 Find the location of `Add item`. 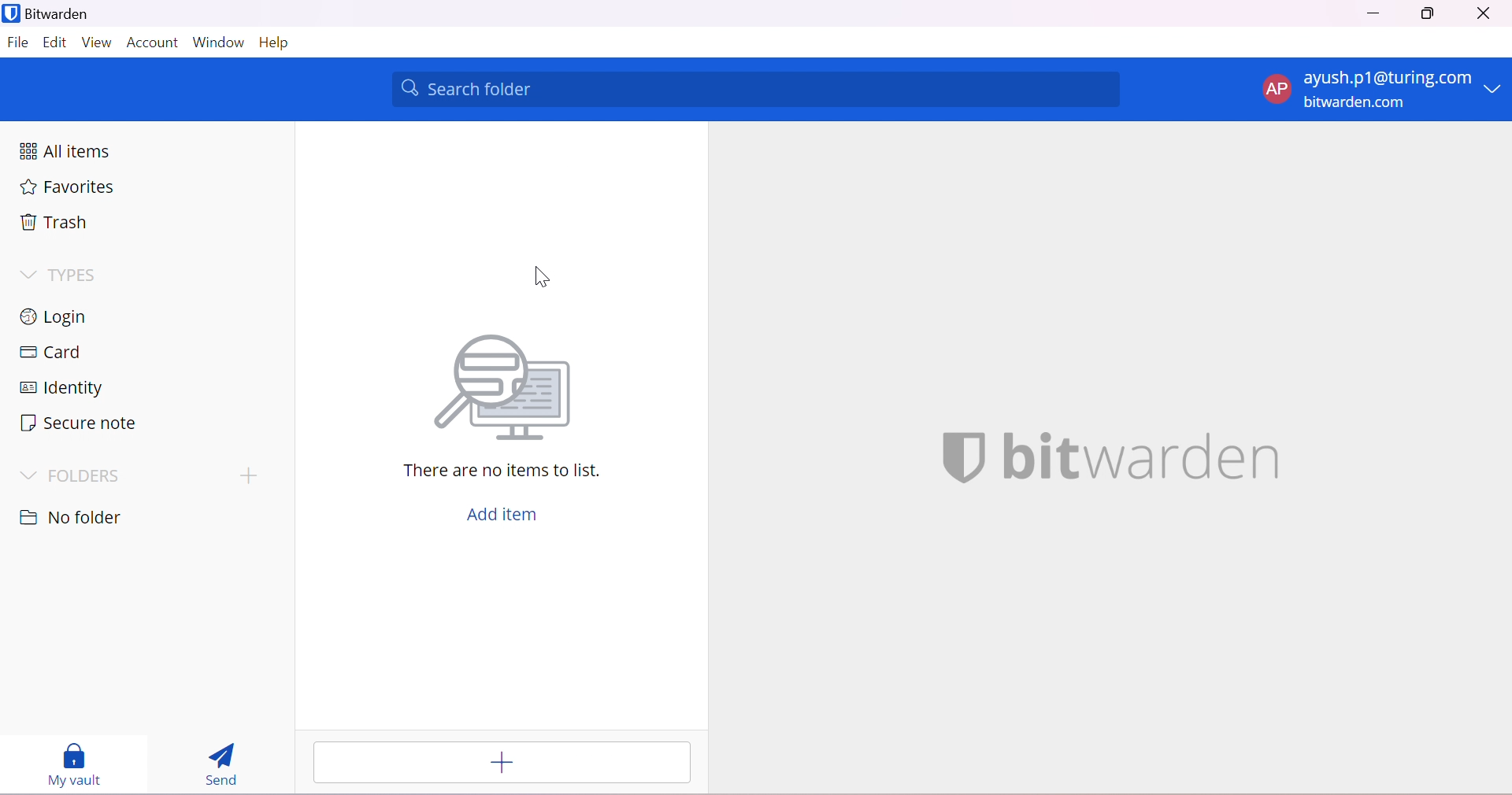

Add item is located at coordinates (508, 516).